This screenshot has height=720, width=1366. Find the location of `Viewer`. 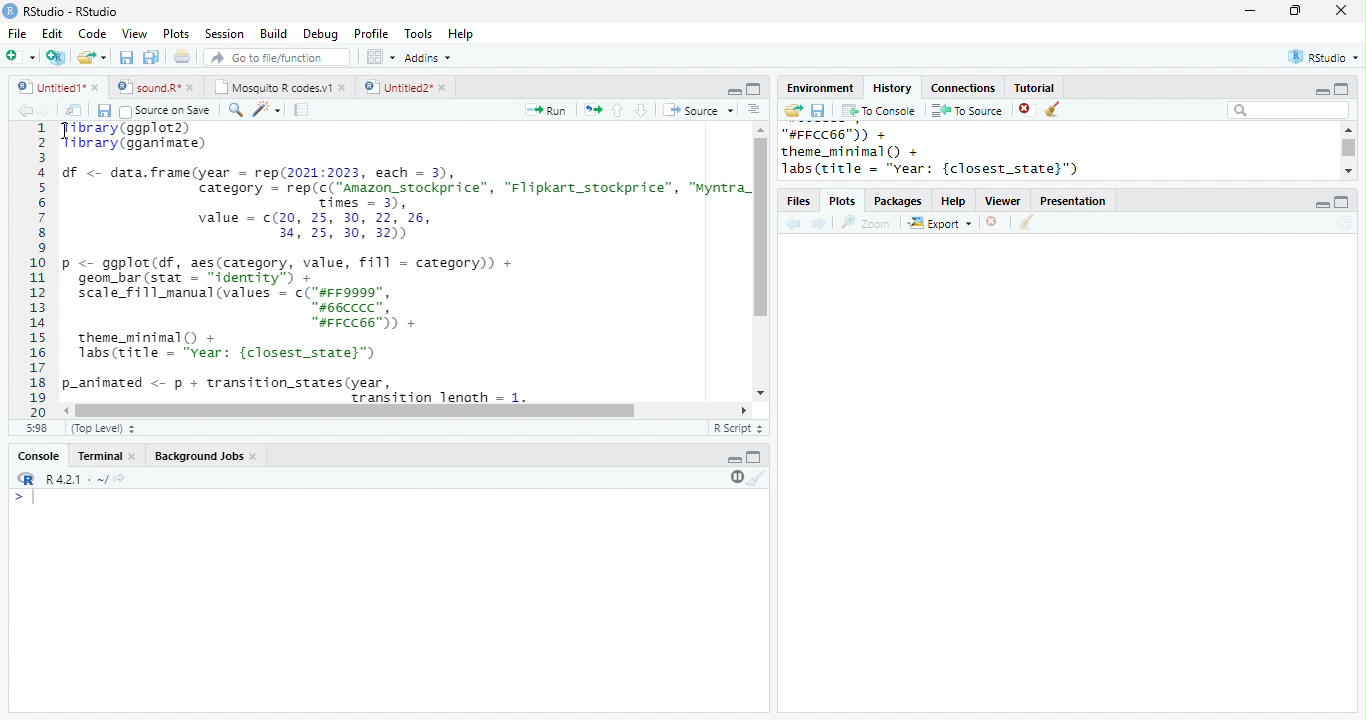

Viewer is located at coordinates (1003, 201).